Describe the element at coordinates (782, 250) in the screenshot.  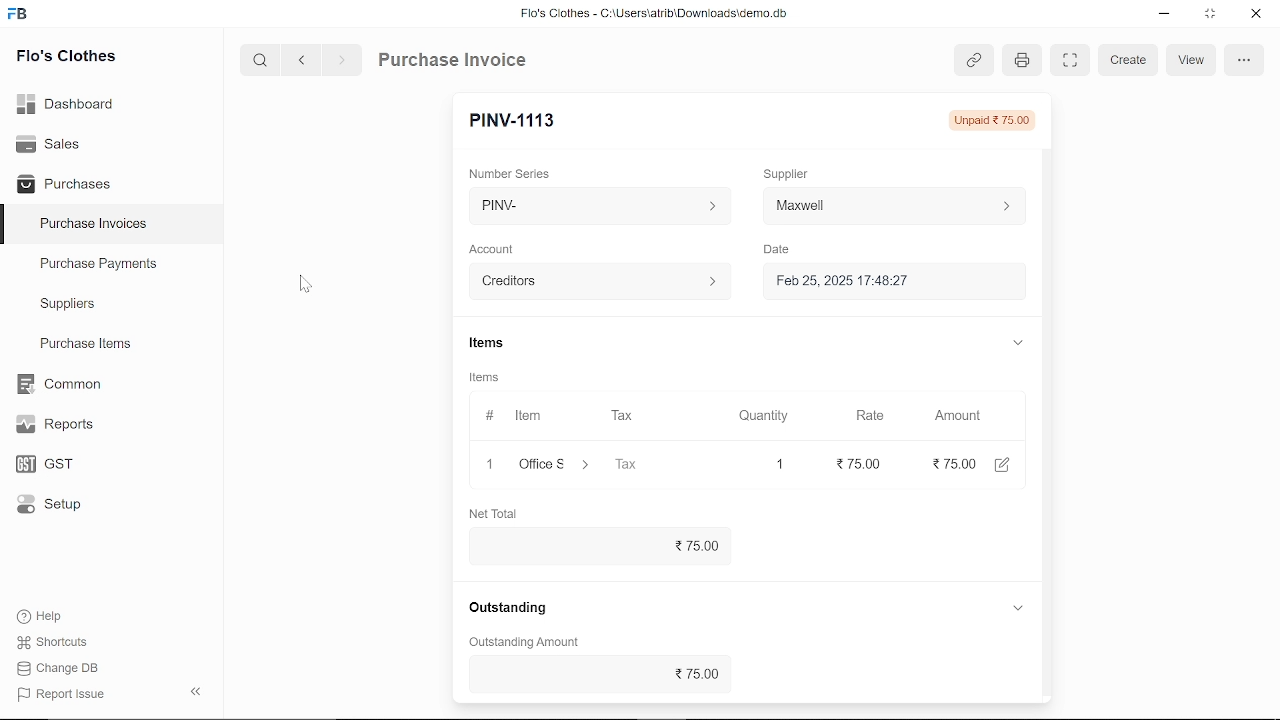
I see `Date` at that location.